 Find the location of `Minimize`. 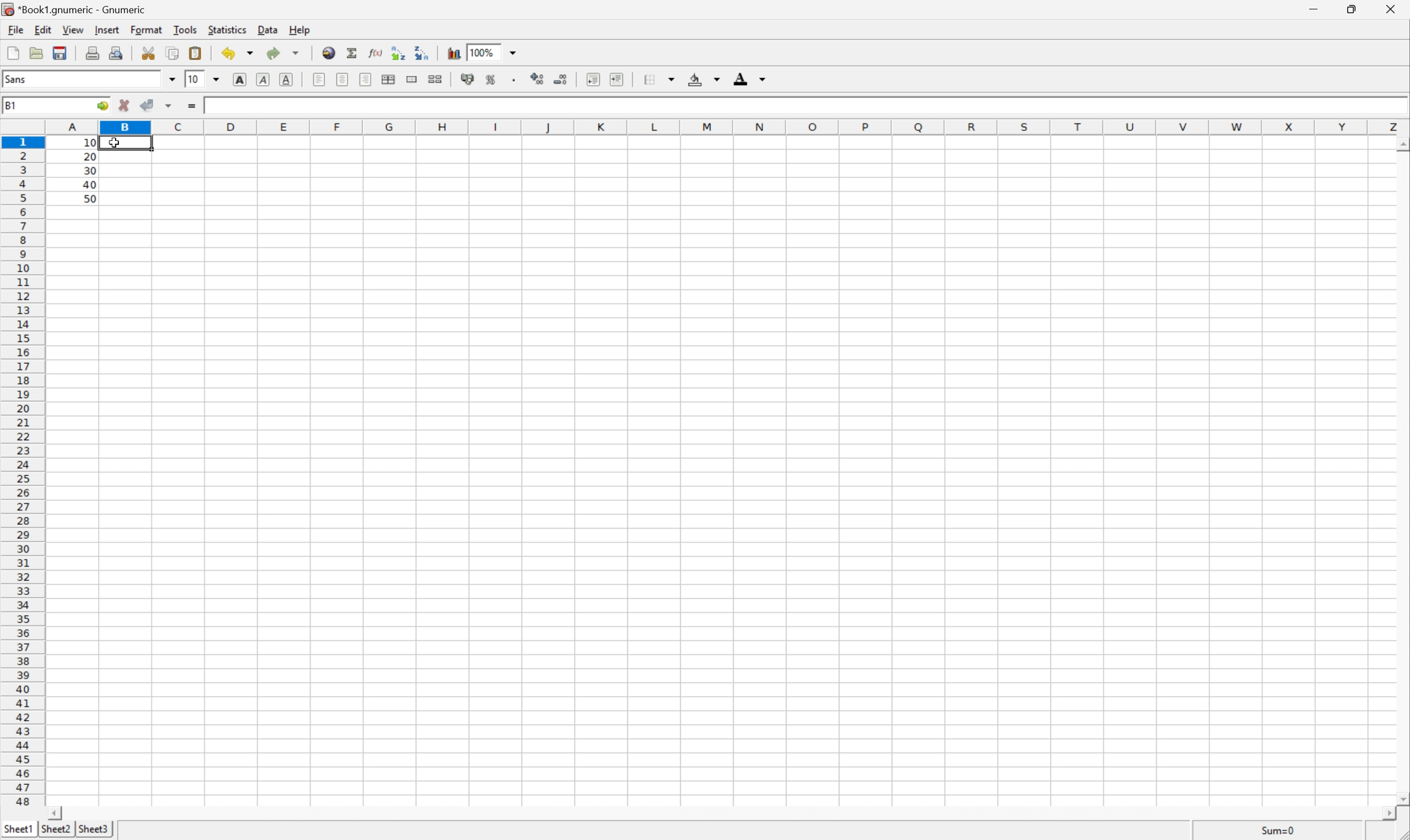

Minimize is located at coordinates (1310, 7).